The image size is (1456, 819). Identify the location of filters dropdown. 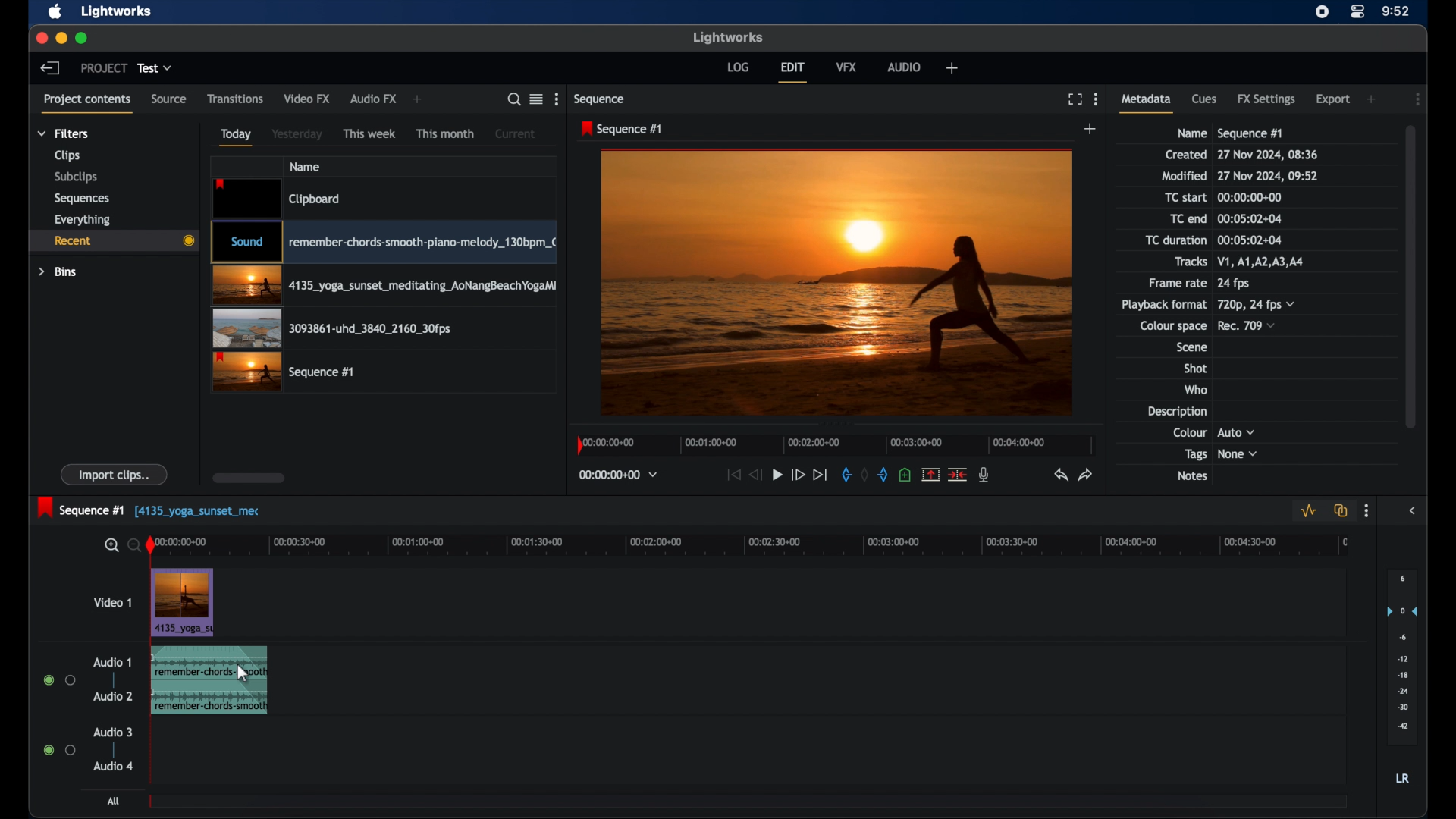
(63, 133).